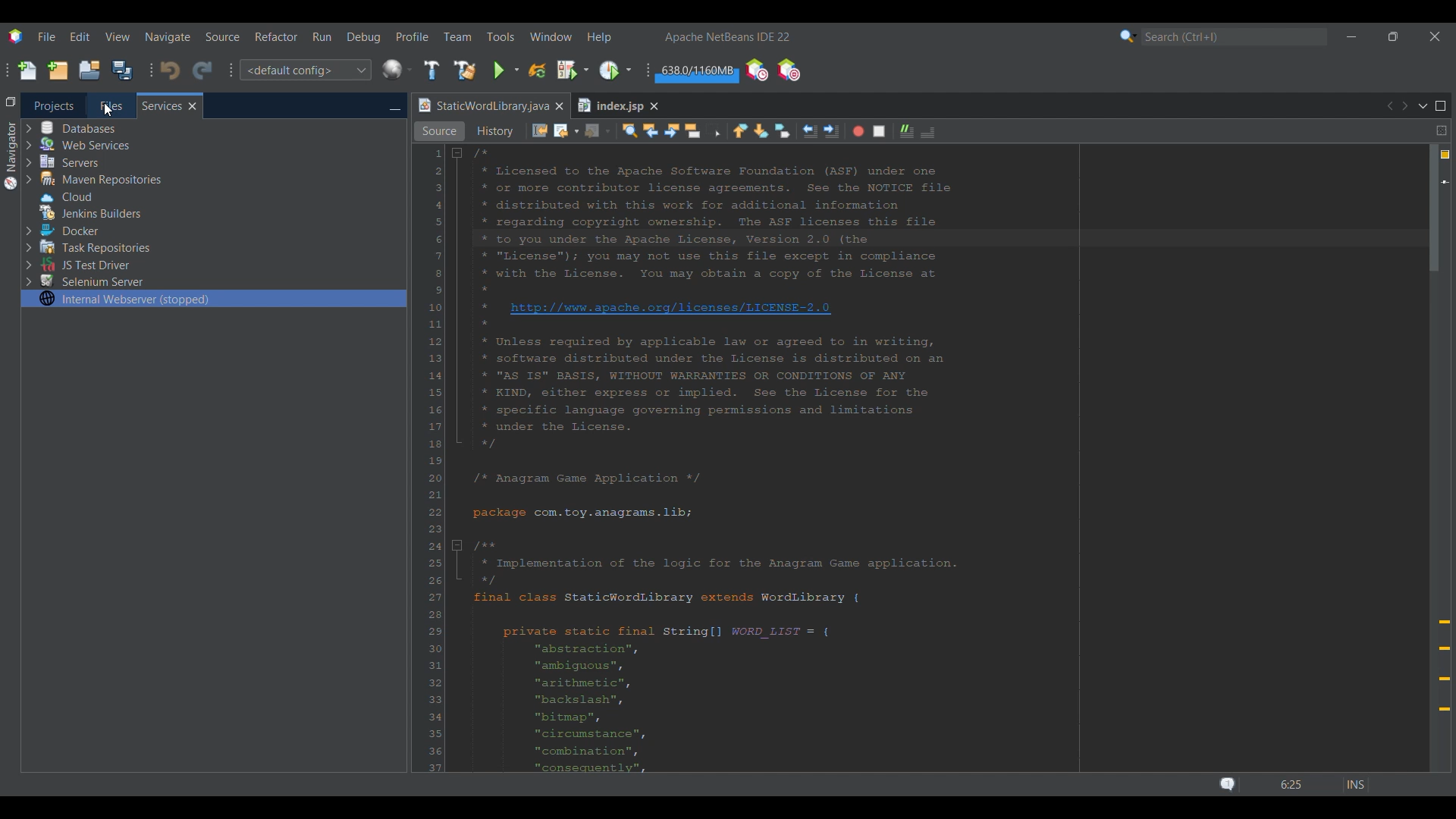 Image resolution: width=1456 pixels, height=819 pixels. Describe the element at coordinates (566, 131) in the screenshot. I see `Back options` at that location.